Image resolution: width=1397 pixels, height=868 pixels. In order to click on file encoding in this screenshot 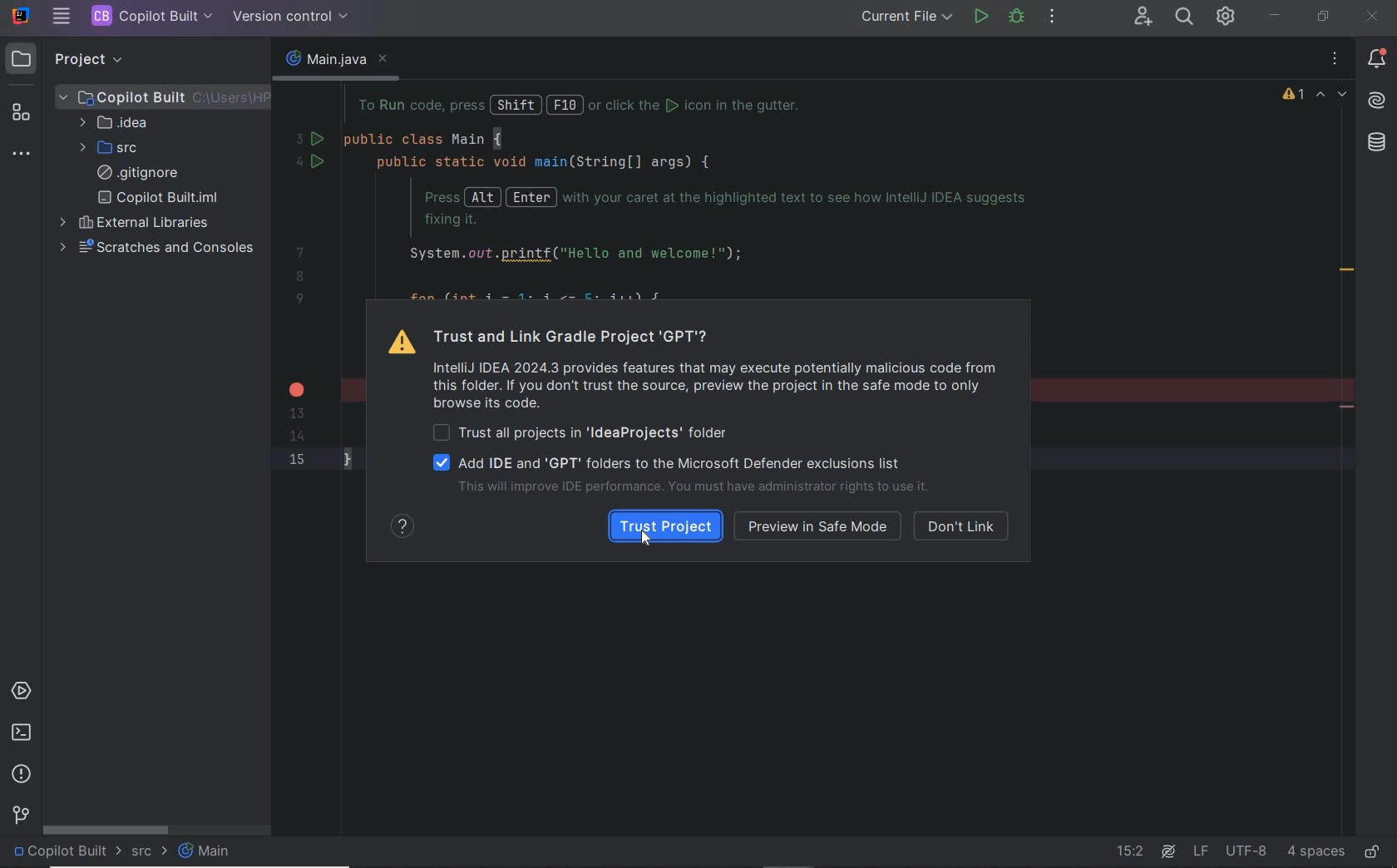, I will do `click(1246, 850)`.